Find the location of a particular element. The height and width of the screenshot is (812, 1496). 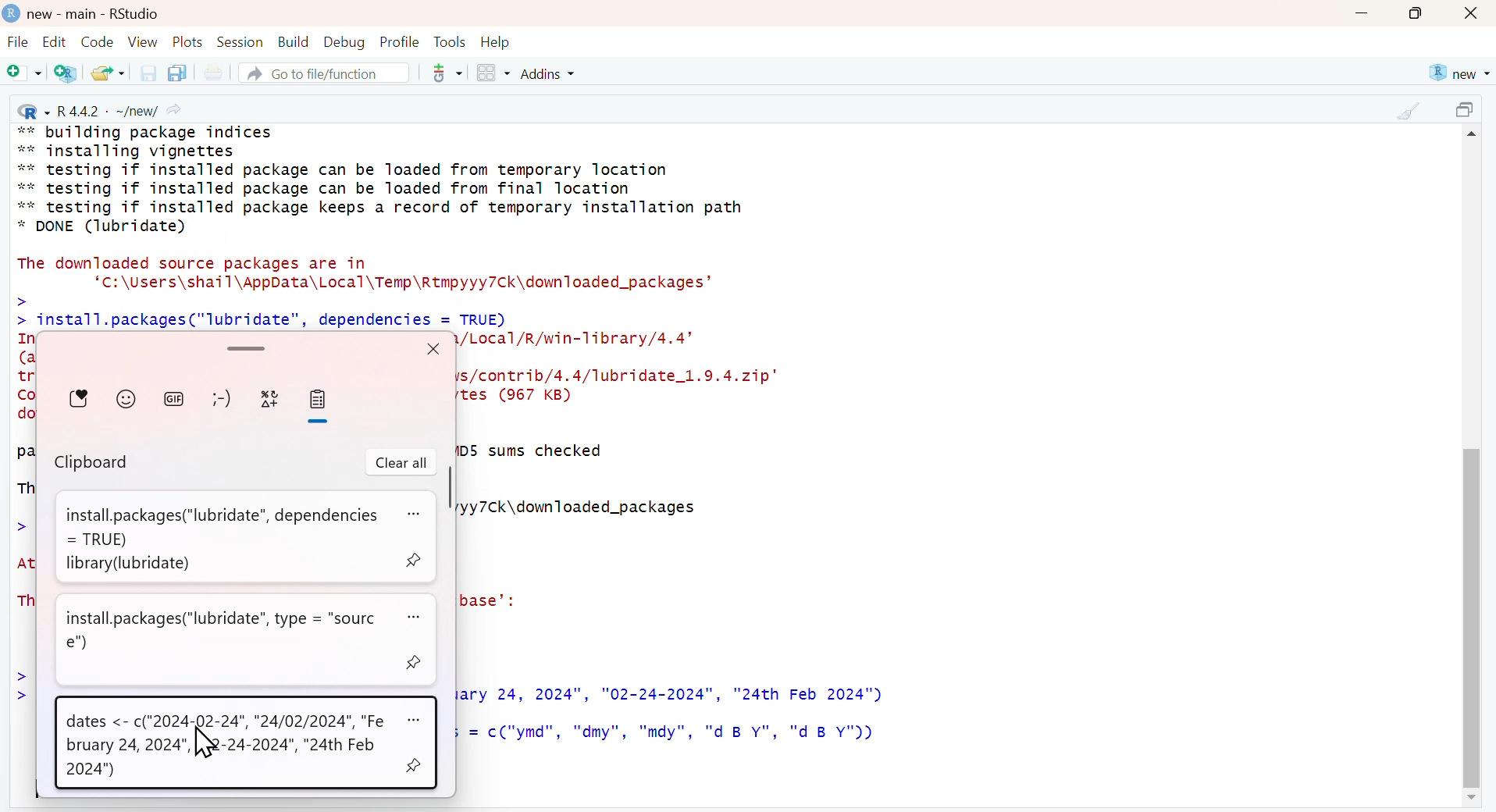

print is located at coordinates (212, 73).